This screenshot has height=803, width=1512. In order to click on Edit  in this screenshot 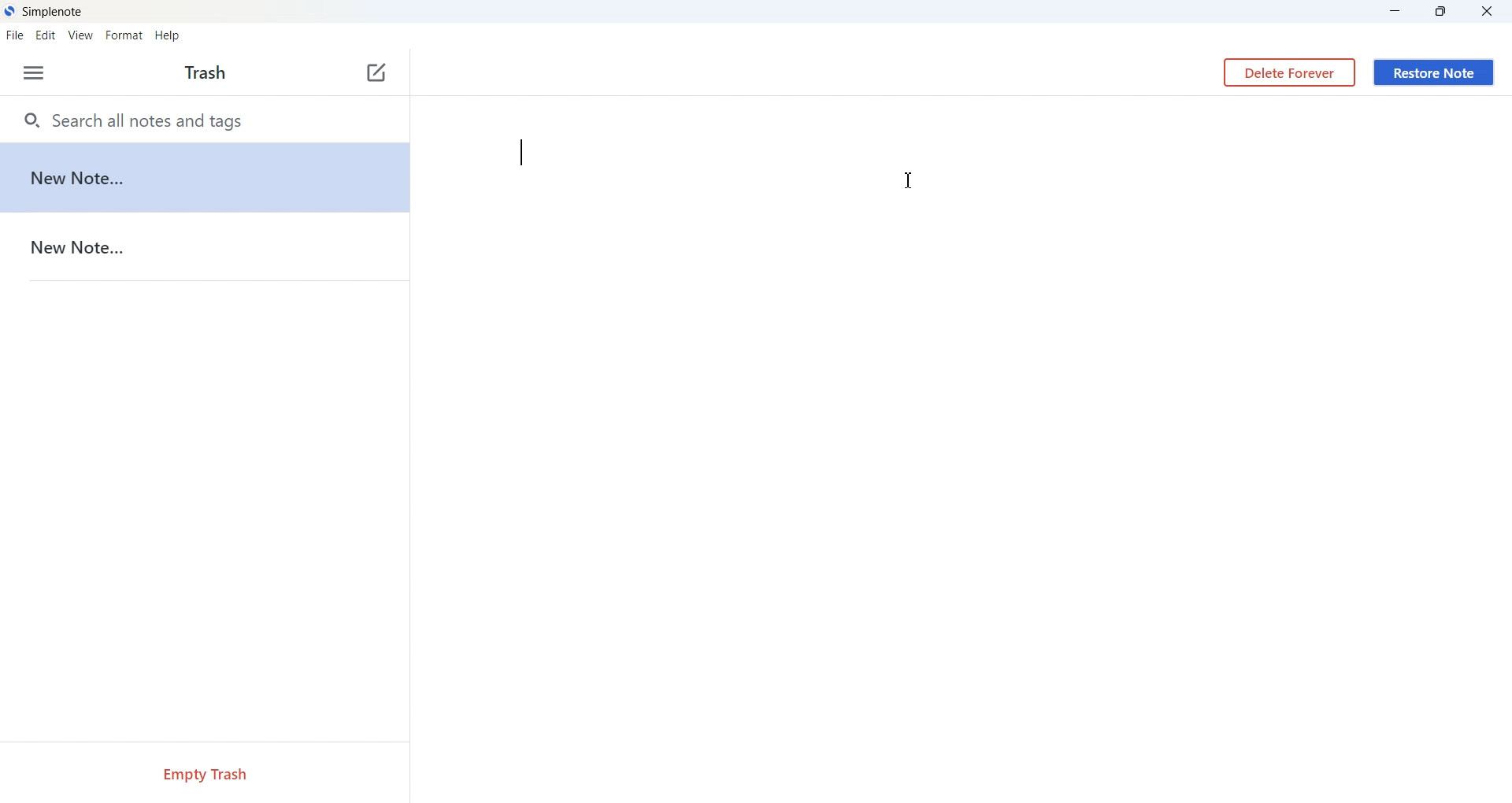, I will do `click(46, 34)`.